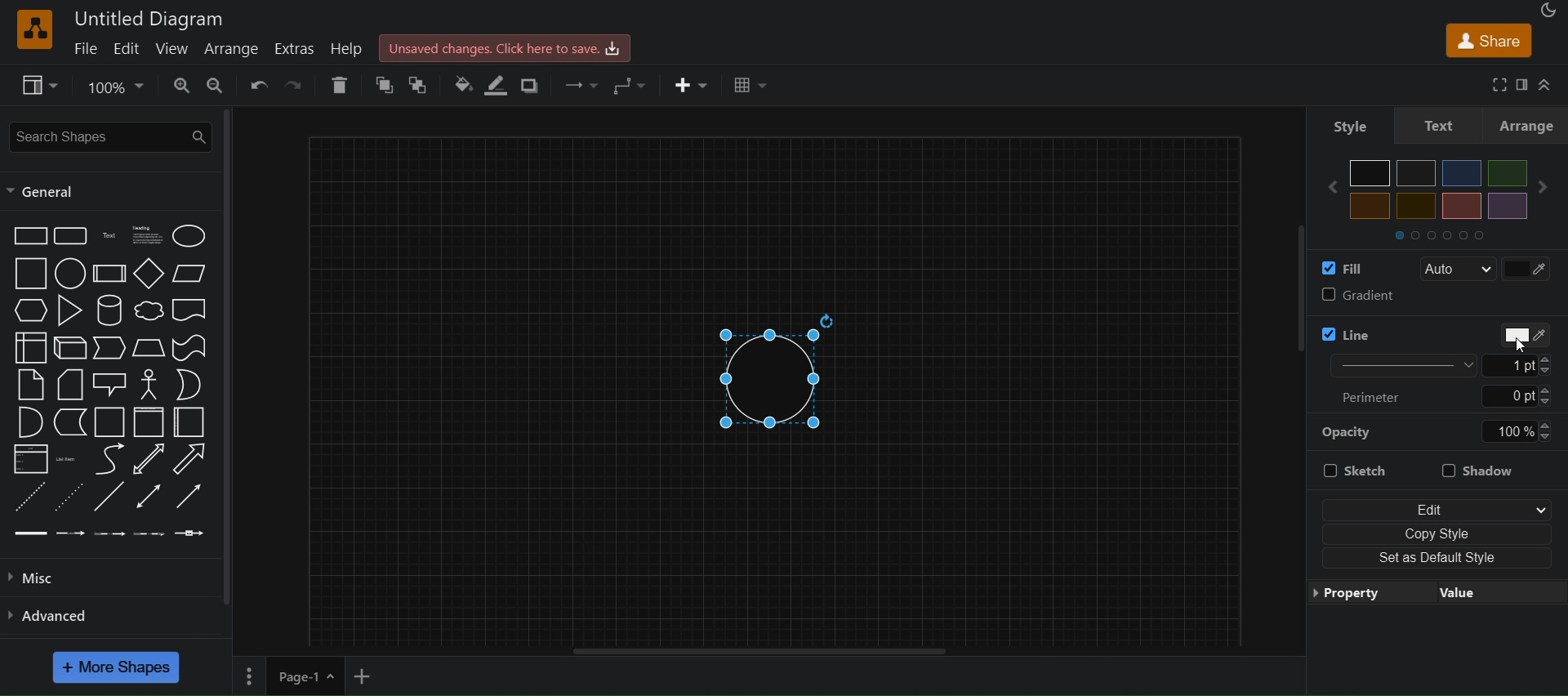 This screenshot has width=1568, height=696. What do you see at coordinates (692, 86) in the screenshot?
I see `insert` at bounding box center [692, 86].